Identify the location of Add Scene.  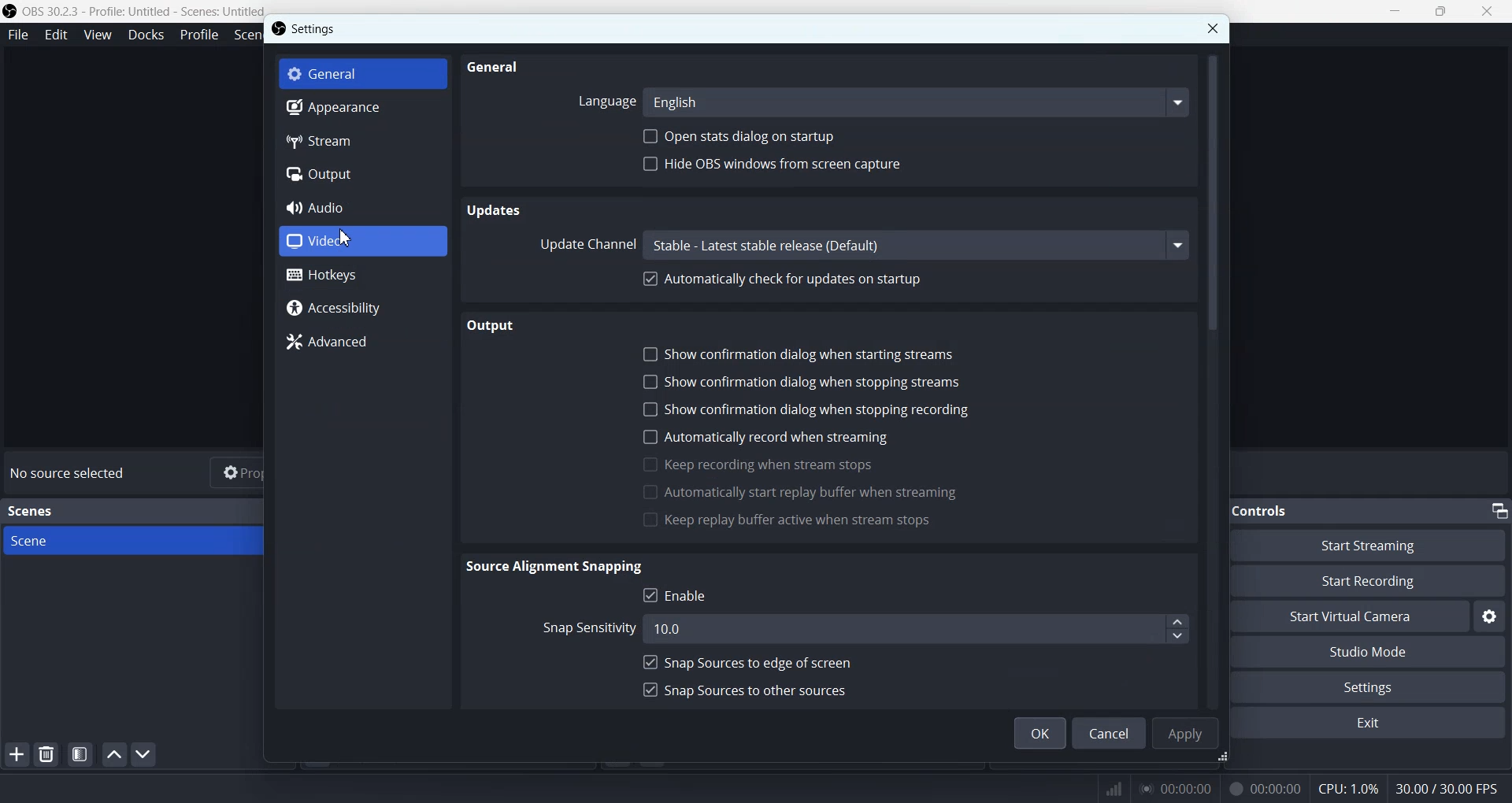
(16, 754).